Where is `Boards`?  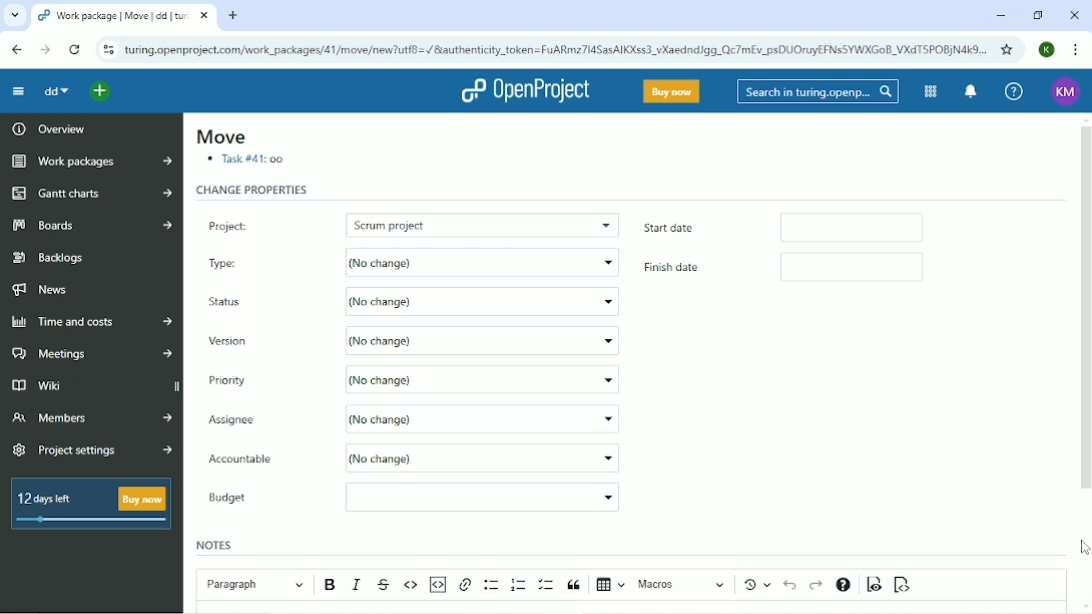
Boards is located at coordinates (93, 224).